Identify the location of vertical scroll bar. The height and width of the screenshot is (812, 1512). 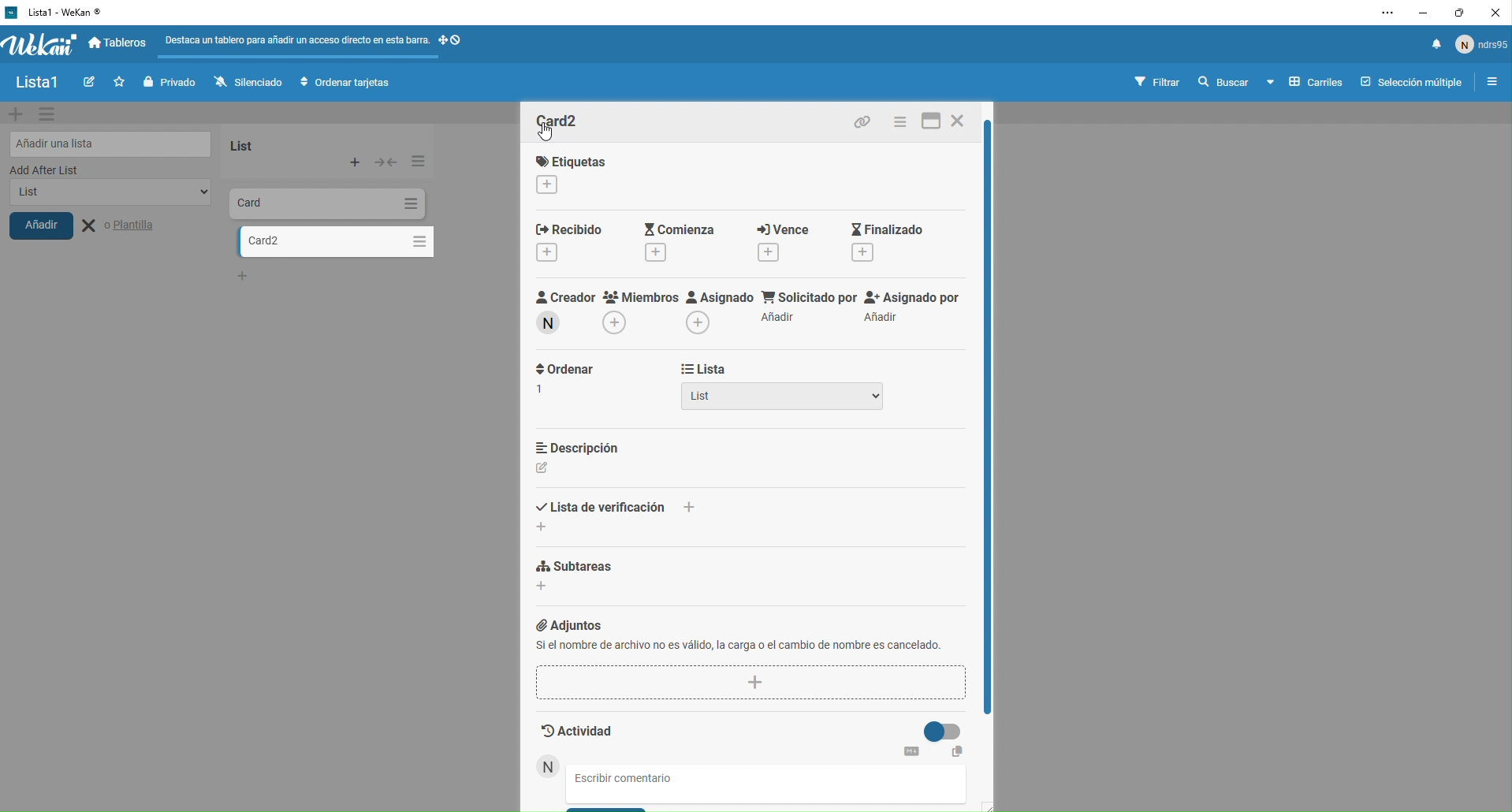
(992, 416).